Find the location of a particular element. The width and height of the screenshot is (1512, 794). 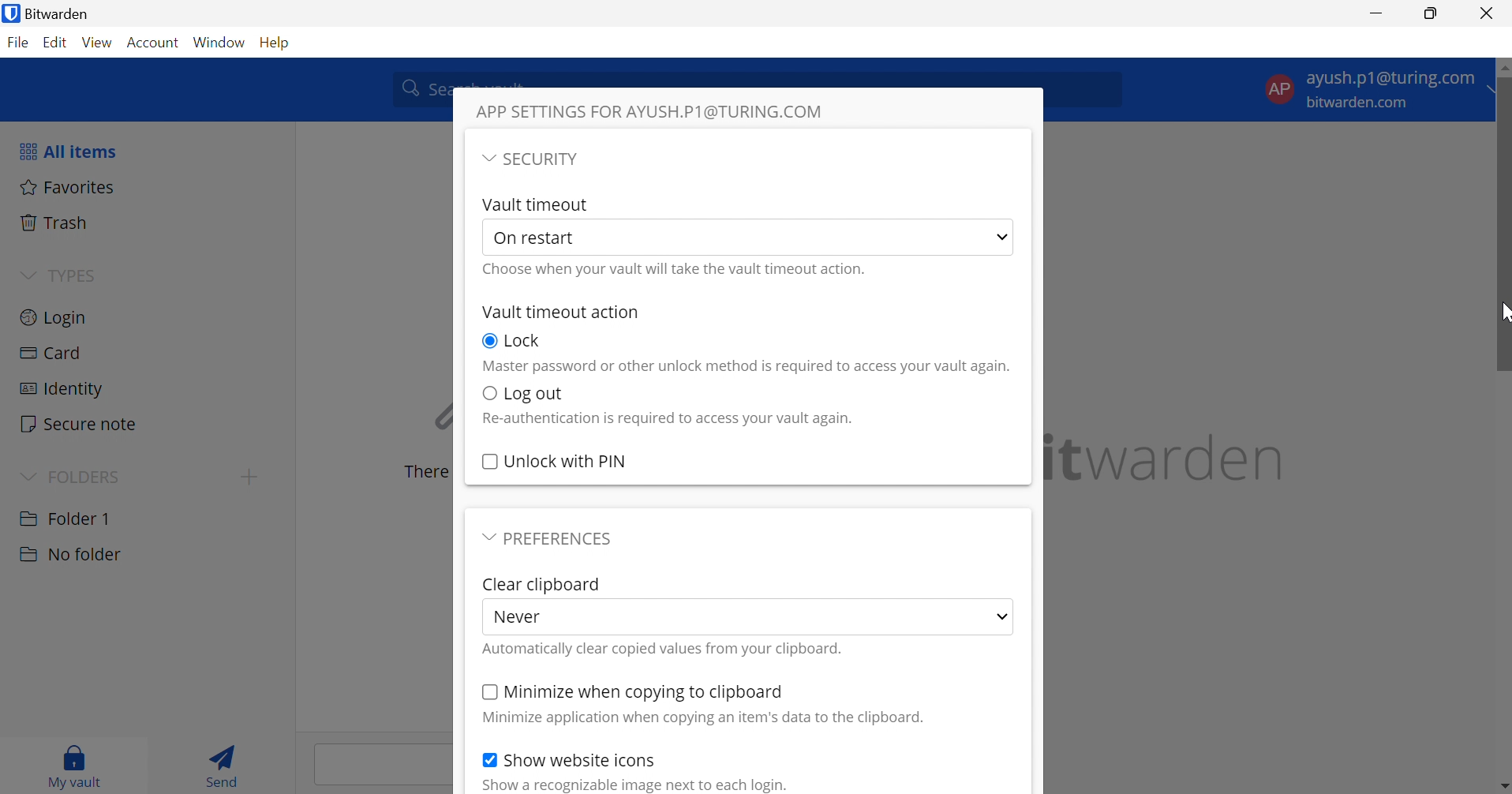

Drop Down is located at coordinates (28, 273).